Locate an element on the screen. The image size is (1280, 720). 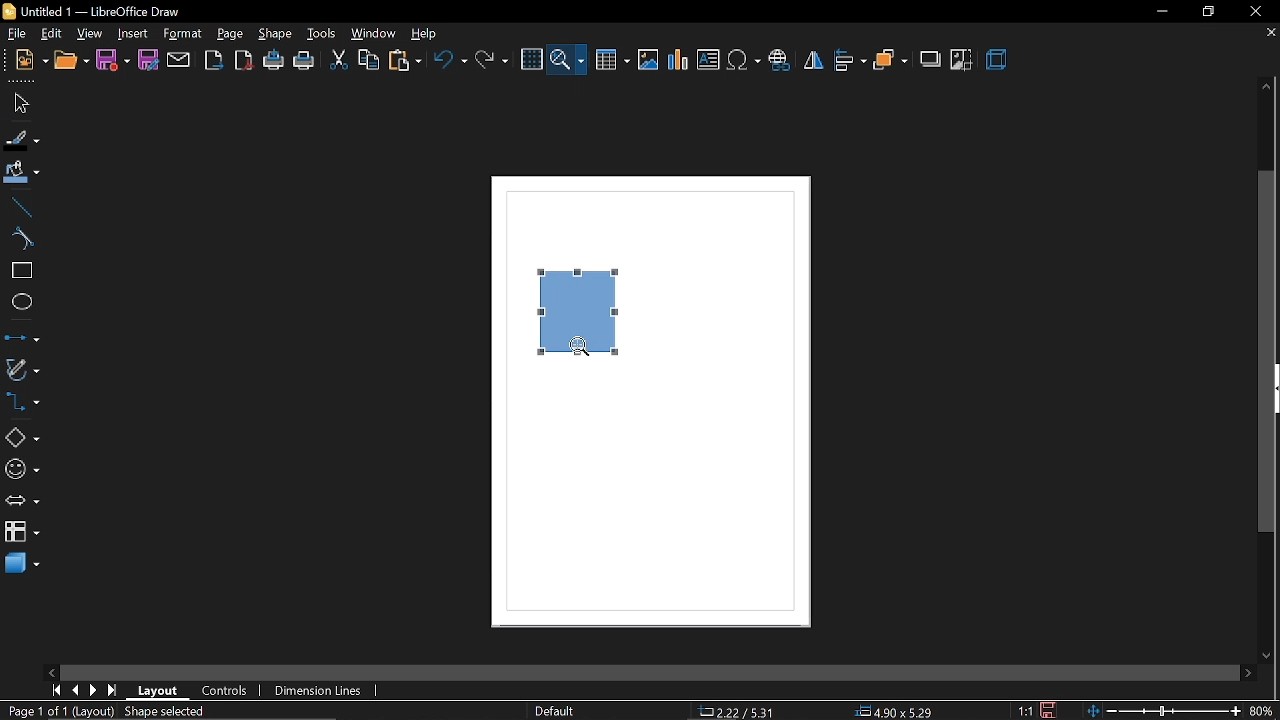
save is located at coordinates (112, 59).